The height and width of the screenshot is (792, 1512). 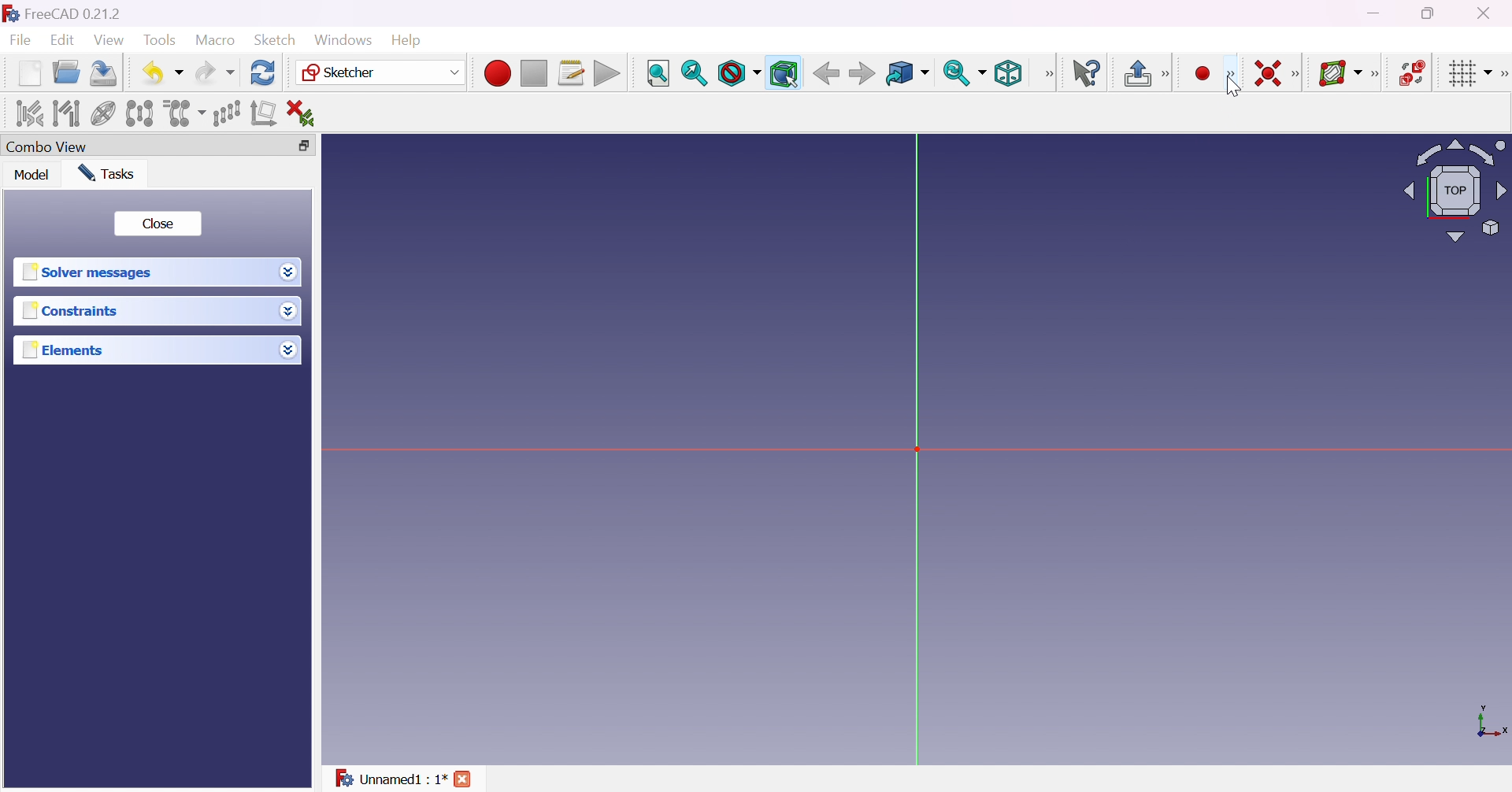 What do you see at coordinates (27, 113) in the screenshot?
I see `Select associated constraints` at bounding box center [27, 113].